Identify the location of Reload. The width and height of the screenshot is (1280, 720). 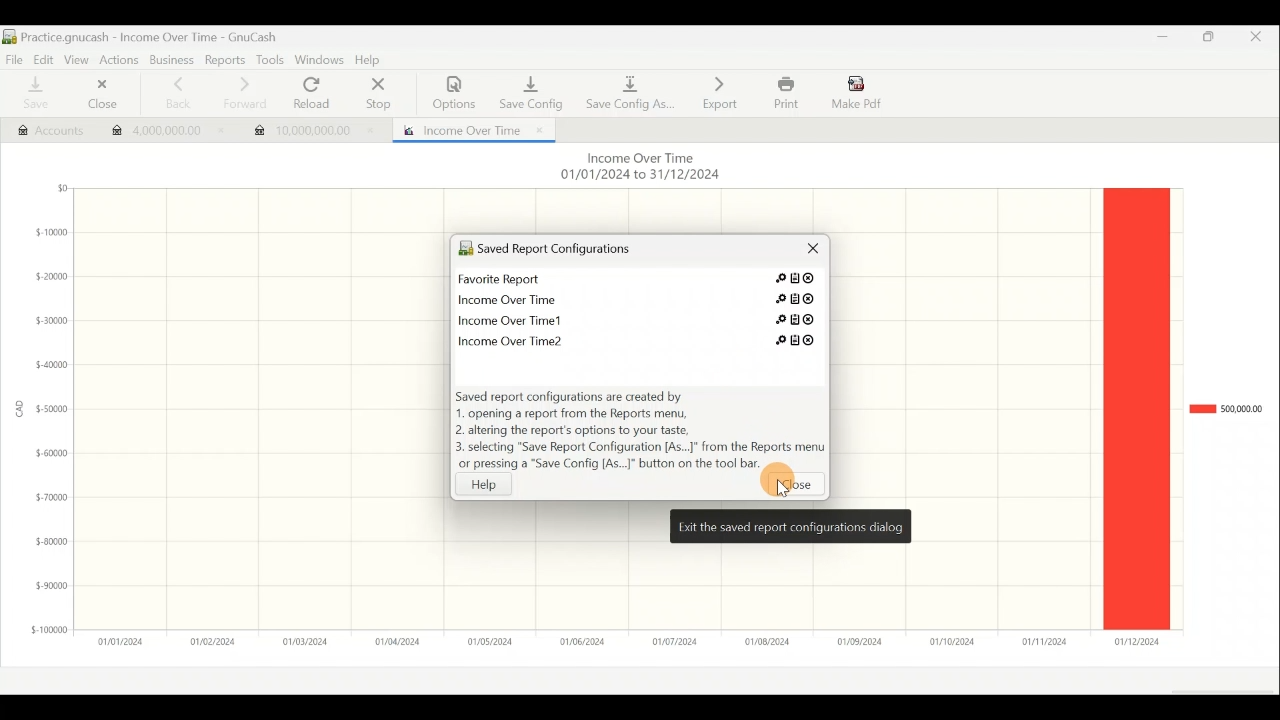
(316, 94).